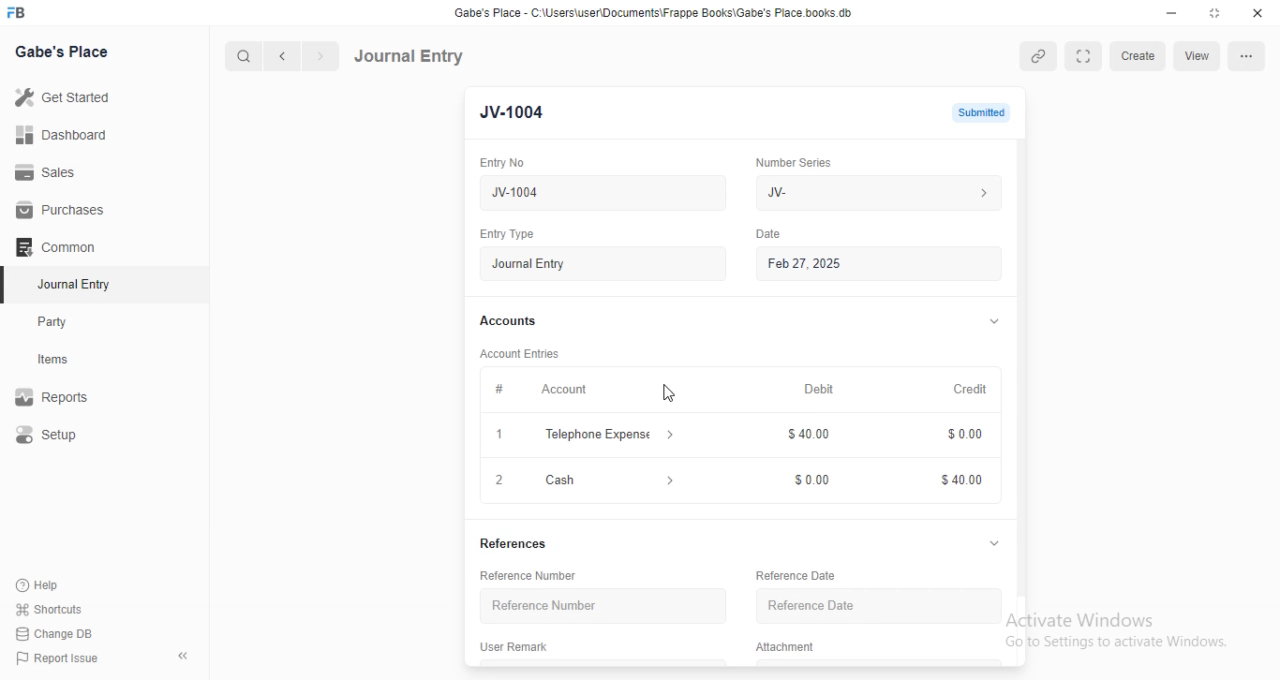  What do you see at coordinates (499, 435) in the screenshot?
I see `1` at bounding box center [499, 435].